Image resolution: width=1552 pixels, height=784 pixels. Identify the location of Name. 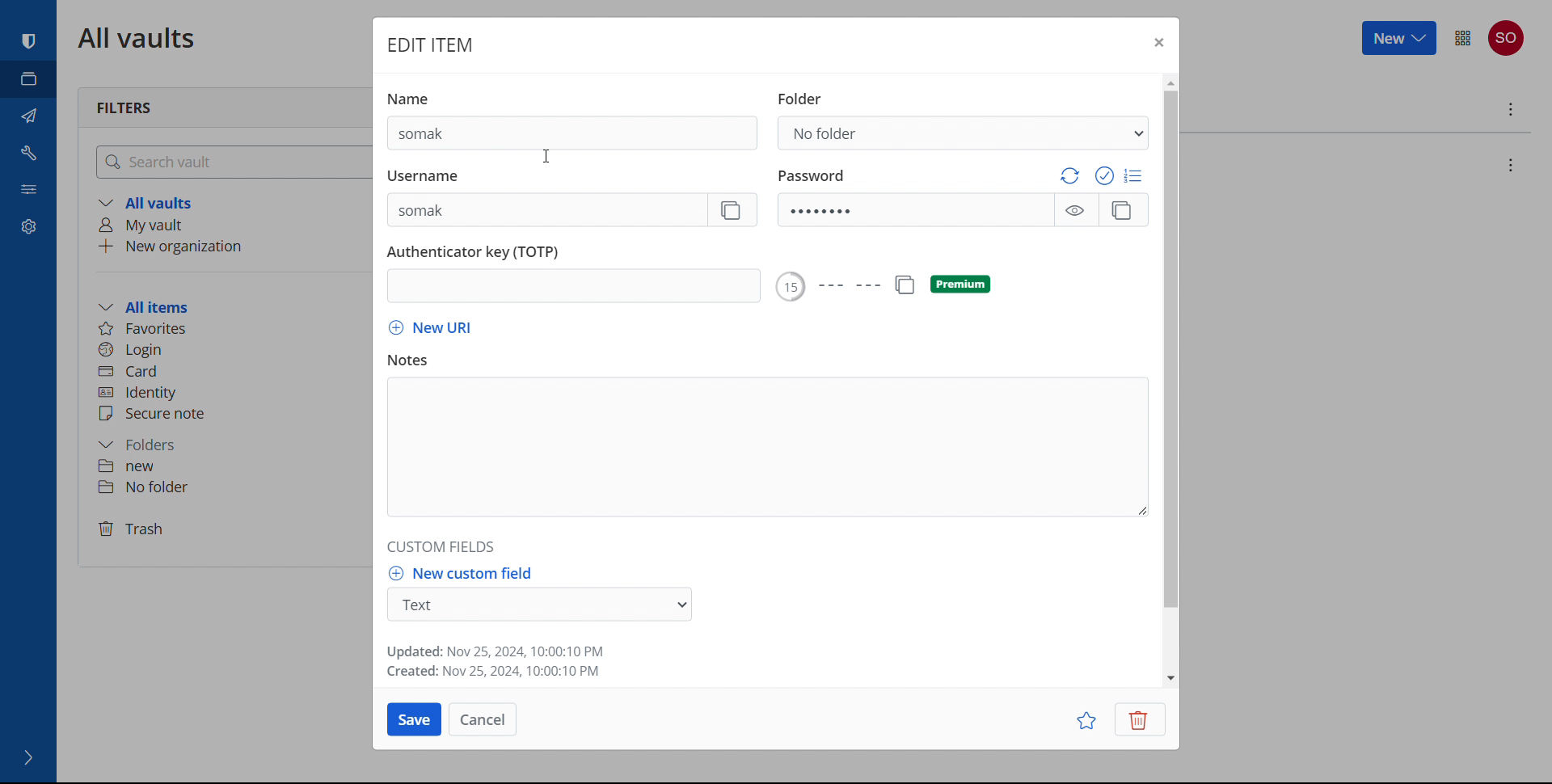
(420, 94).